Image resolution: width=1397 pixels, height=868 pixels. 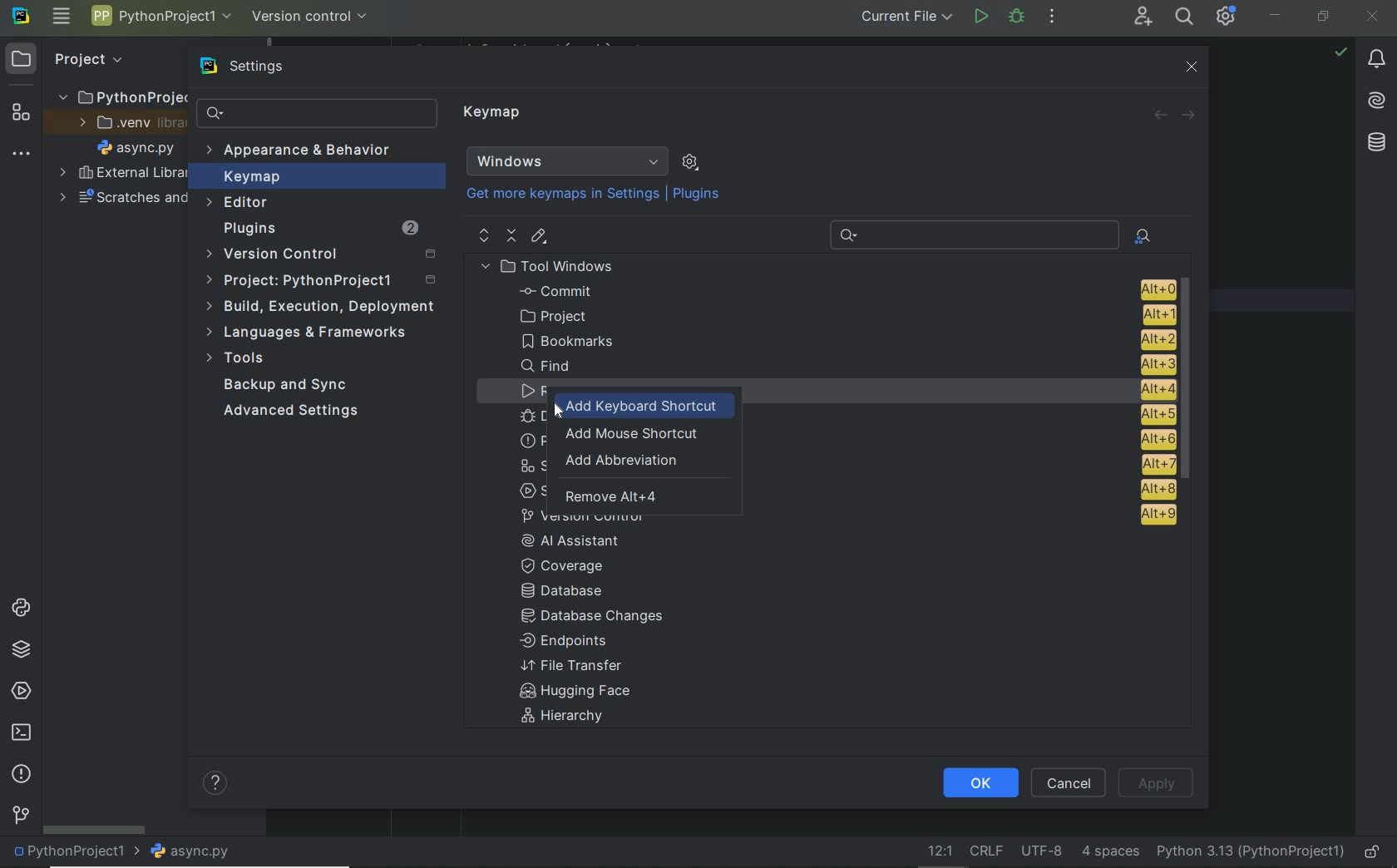 I want to click on Debug, so click(x=1017, y=17).